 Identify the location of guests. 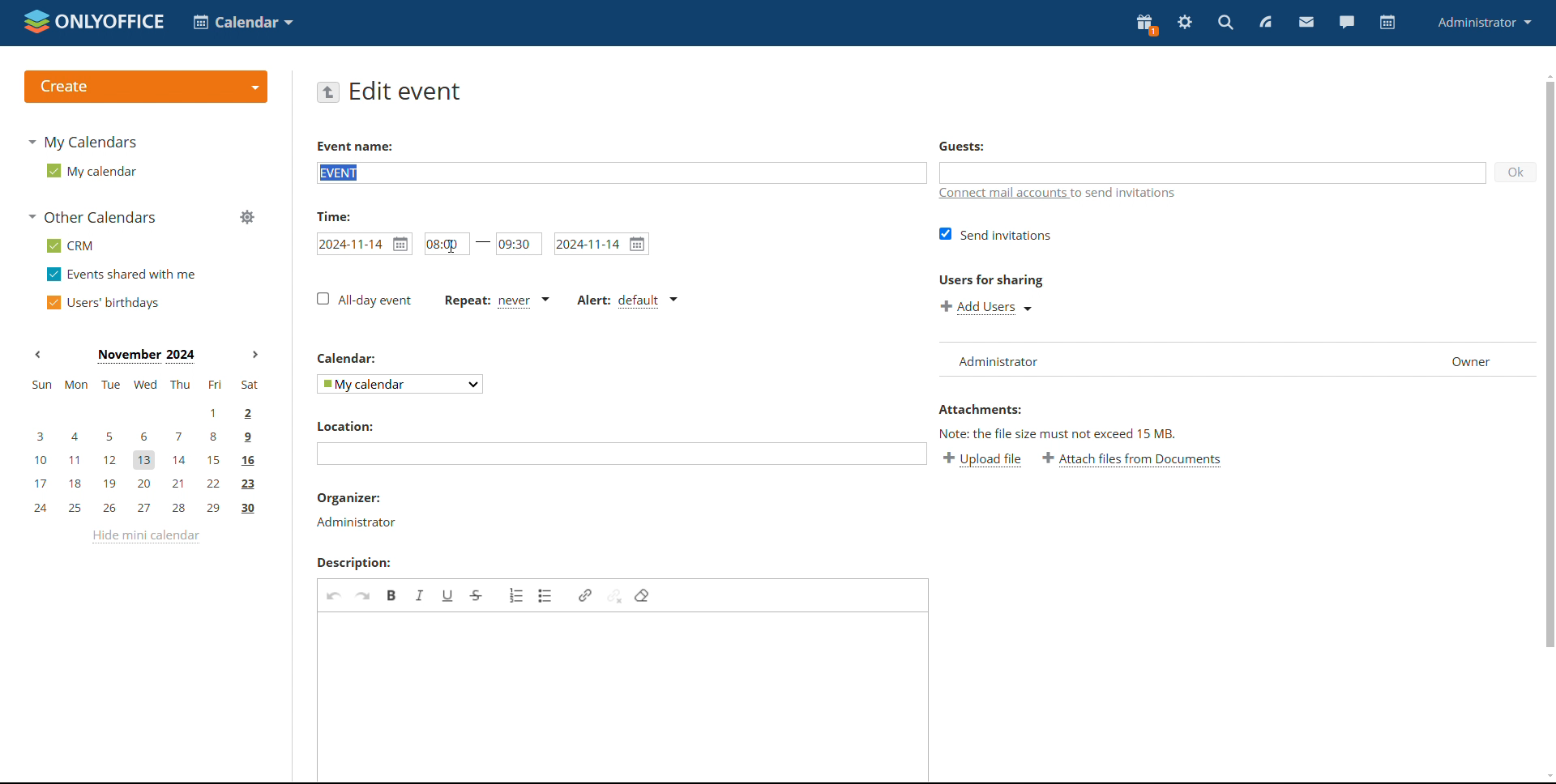
(963, 147).